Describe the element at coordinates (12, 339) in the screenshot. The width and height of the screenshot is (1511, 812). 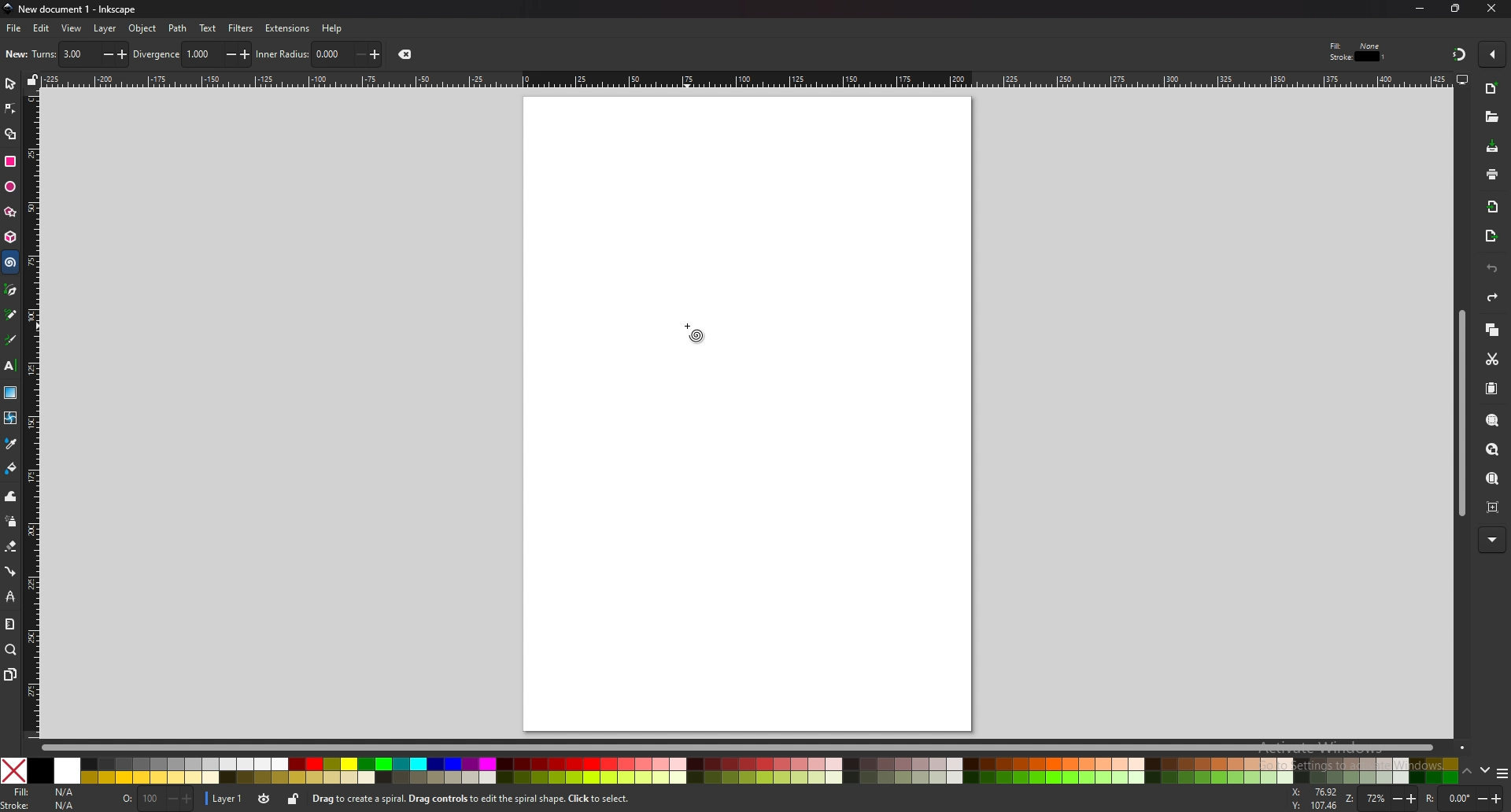
I see `calligraphy` at that location.